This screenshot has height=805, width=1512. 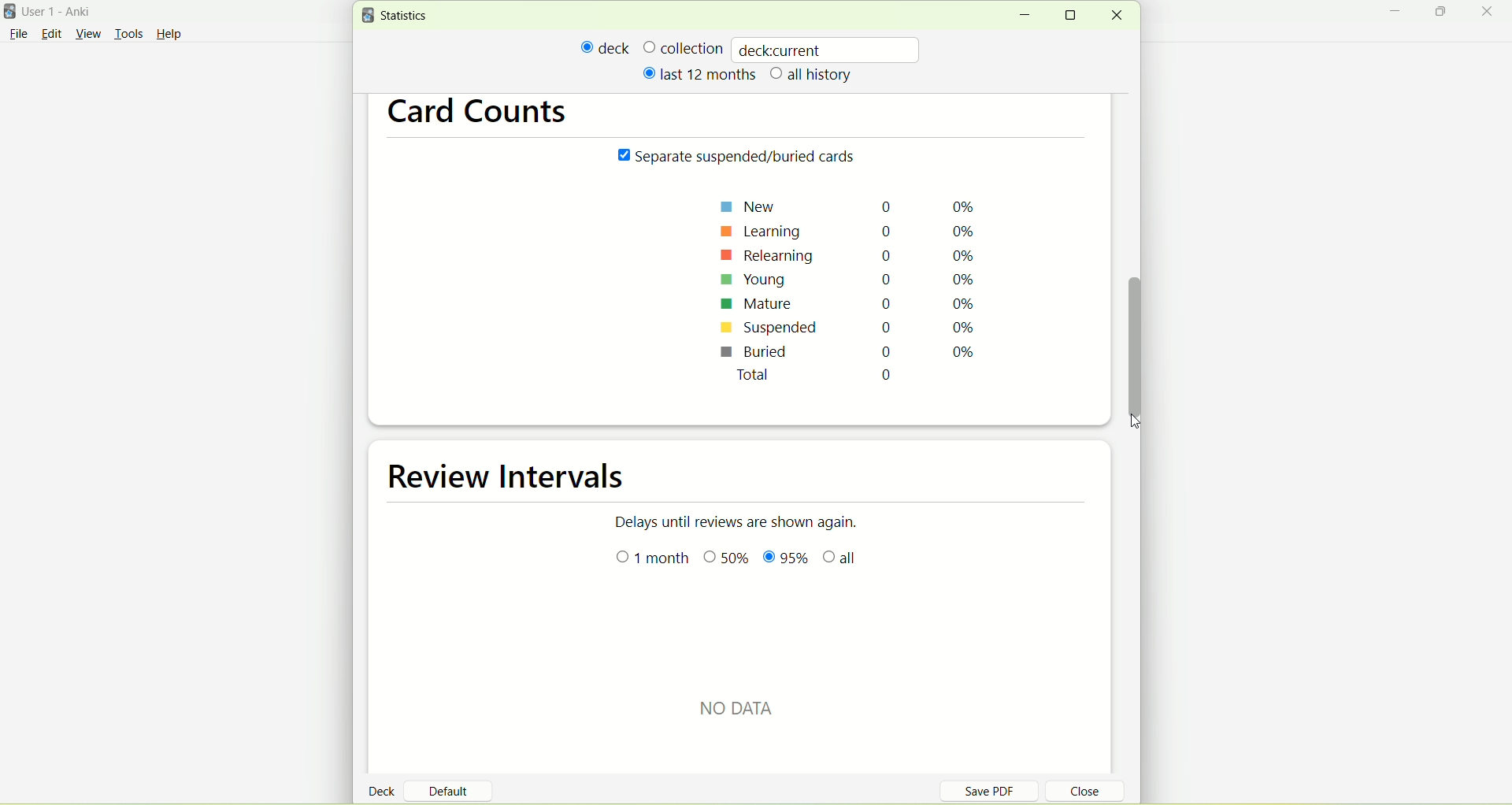 I want to click on new 0 0%, so click(x=852, y=206).